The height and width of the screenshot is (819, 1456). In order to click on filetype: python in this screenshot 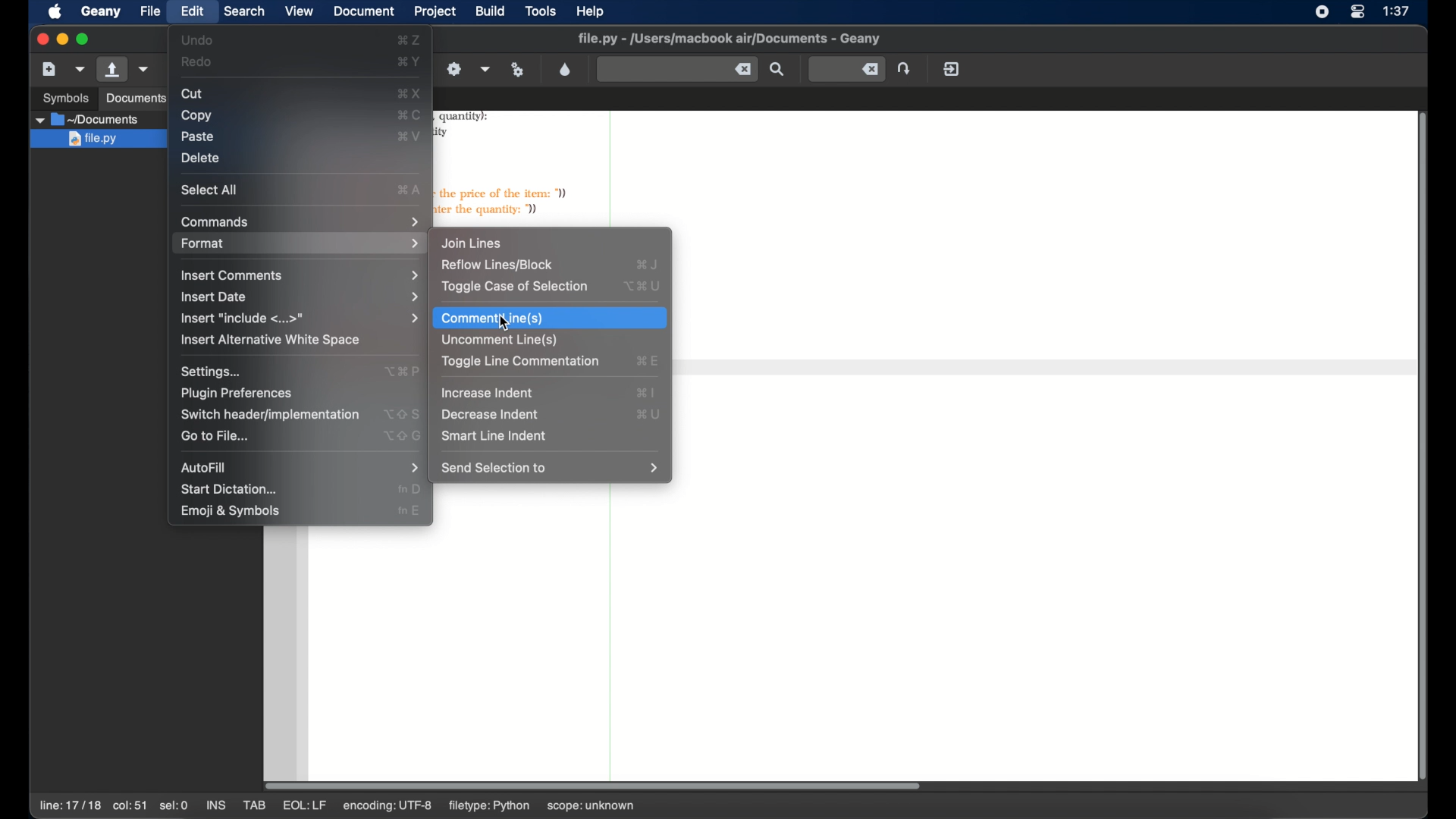, I will do `click(491, 807)`.